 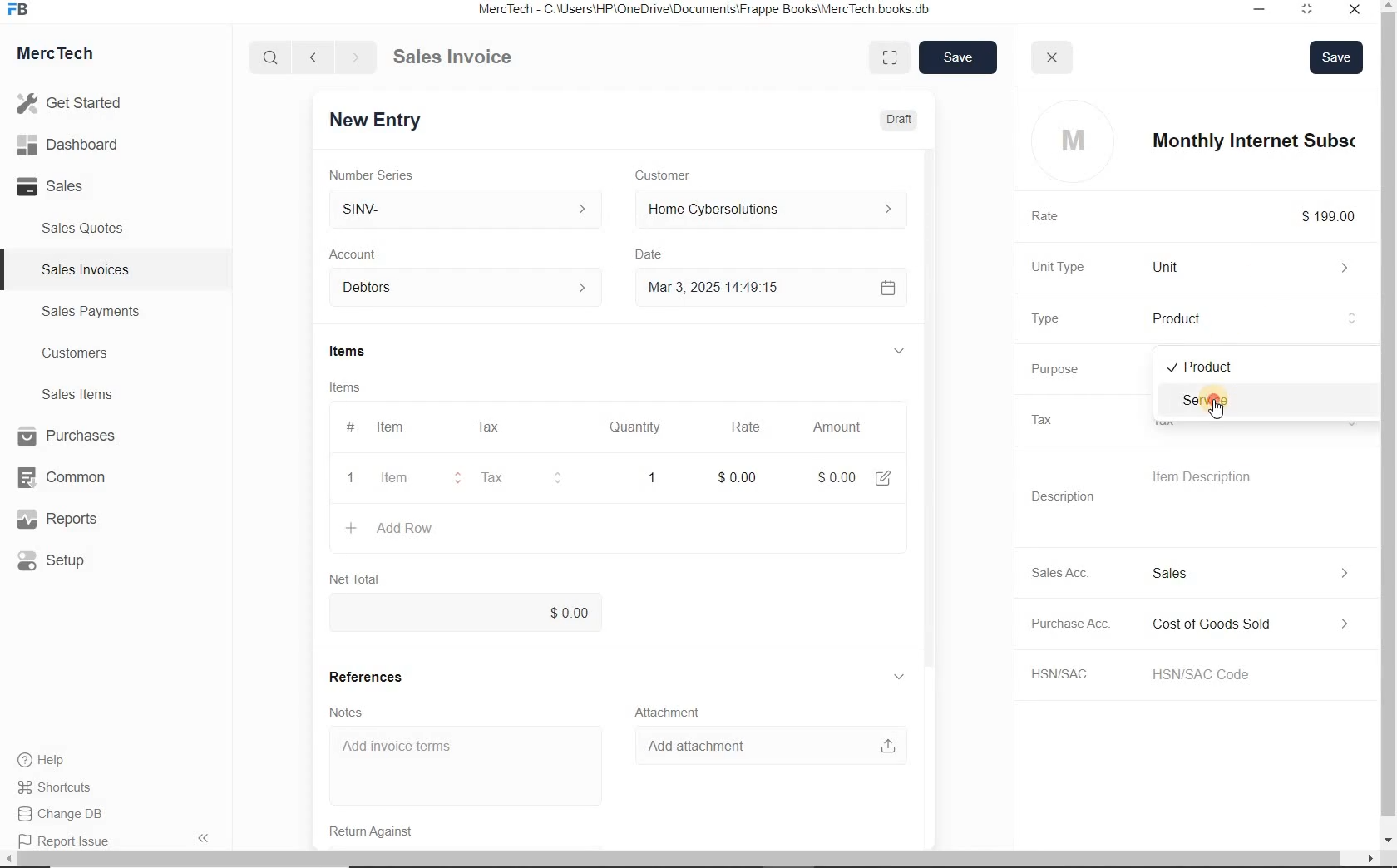 I want to click on Draft, so click(x=900, y=118).